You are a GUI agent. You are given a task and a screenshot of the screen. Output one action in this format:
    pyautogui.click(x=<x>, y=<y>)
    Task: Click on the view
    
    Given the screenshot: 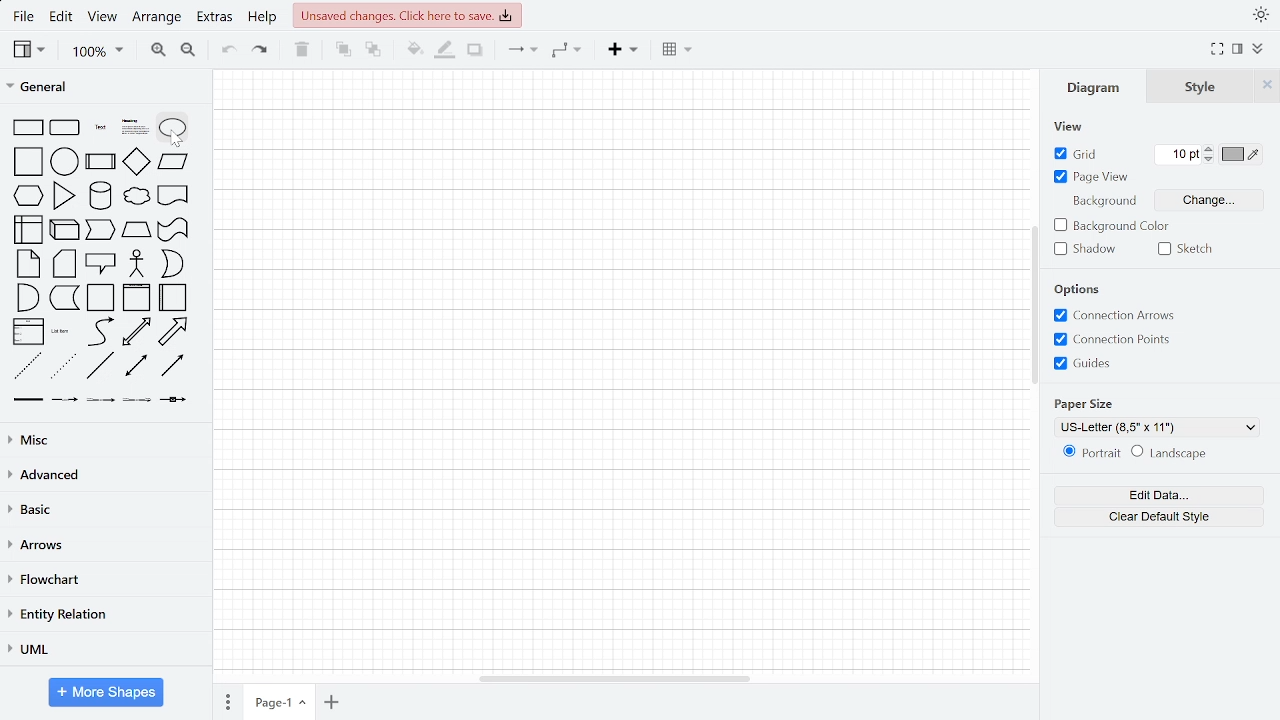 What is the action you would take?
    pyautogui.click(x=1066, y=127)
    